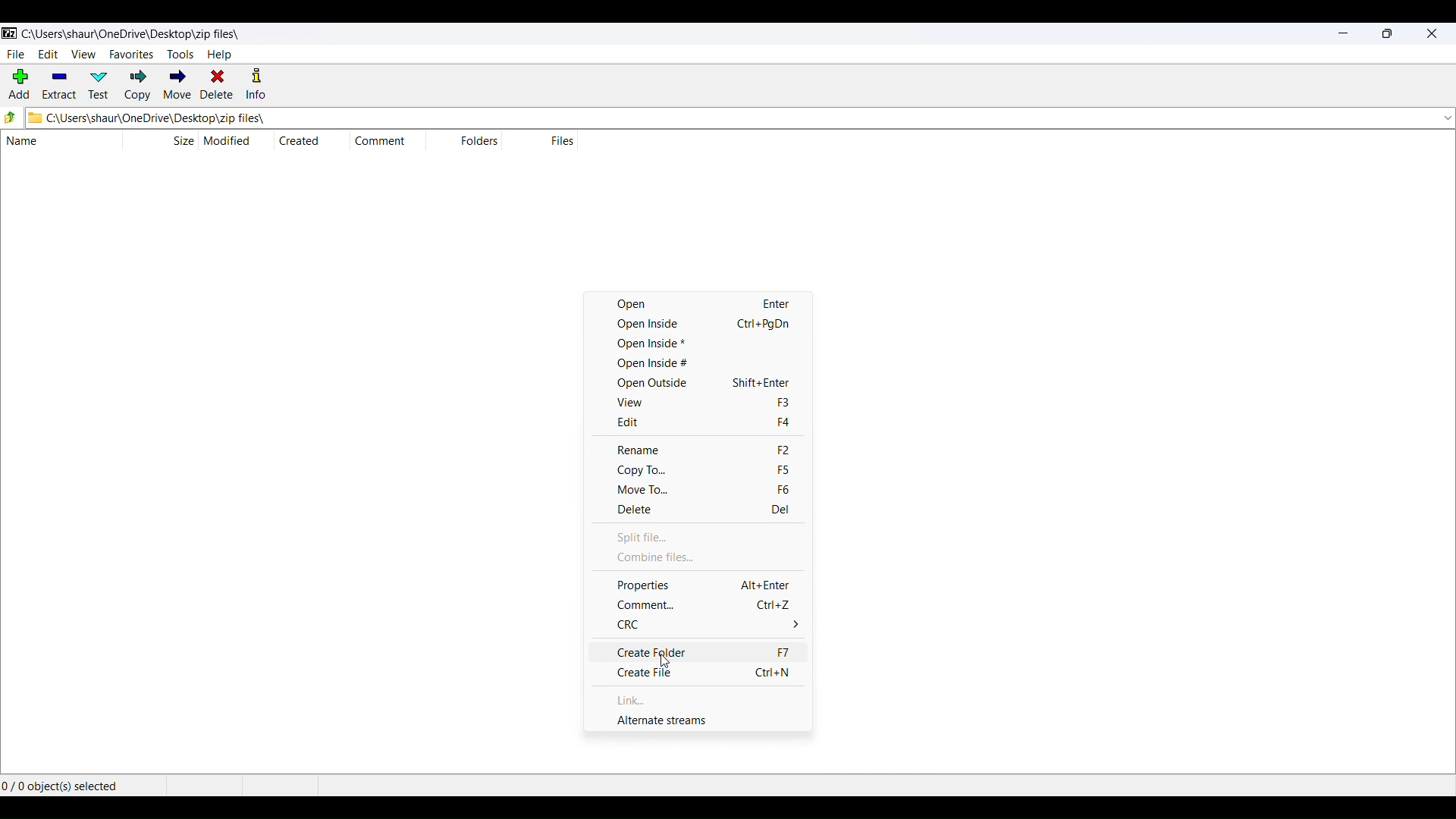  I want to click on FOLDERS, so click(476, 142).